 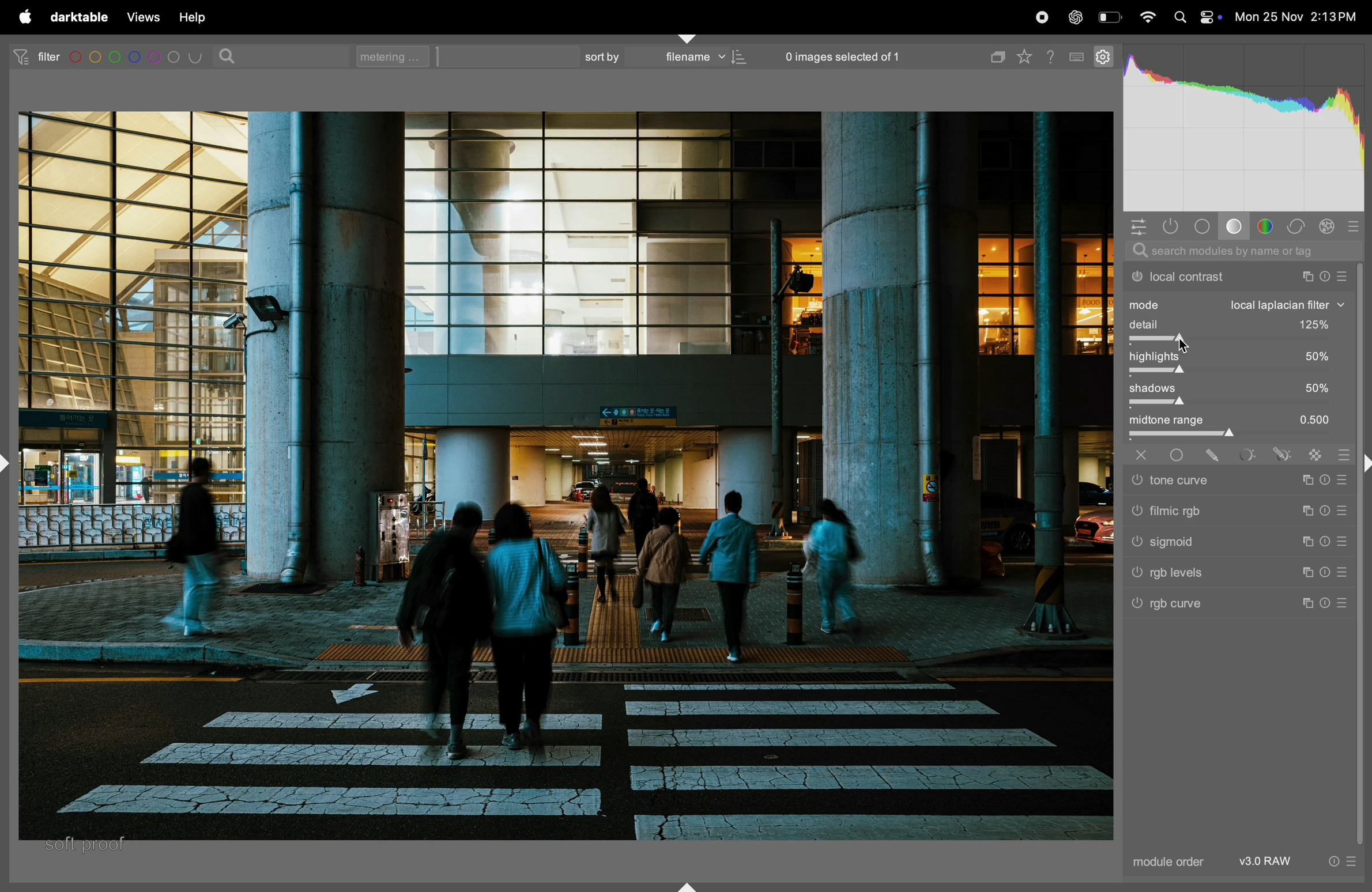 What do you see at coordinates (1326, 571) in the screenshot?
I see `reset` at bounding box center [1326, 571].